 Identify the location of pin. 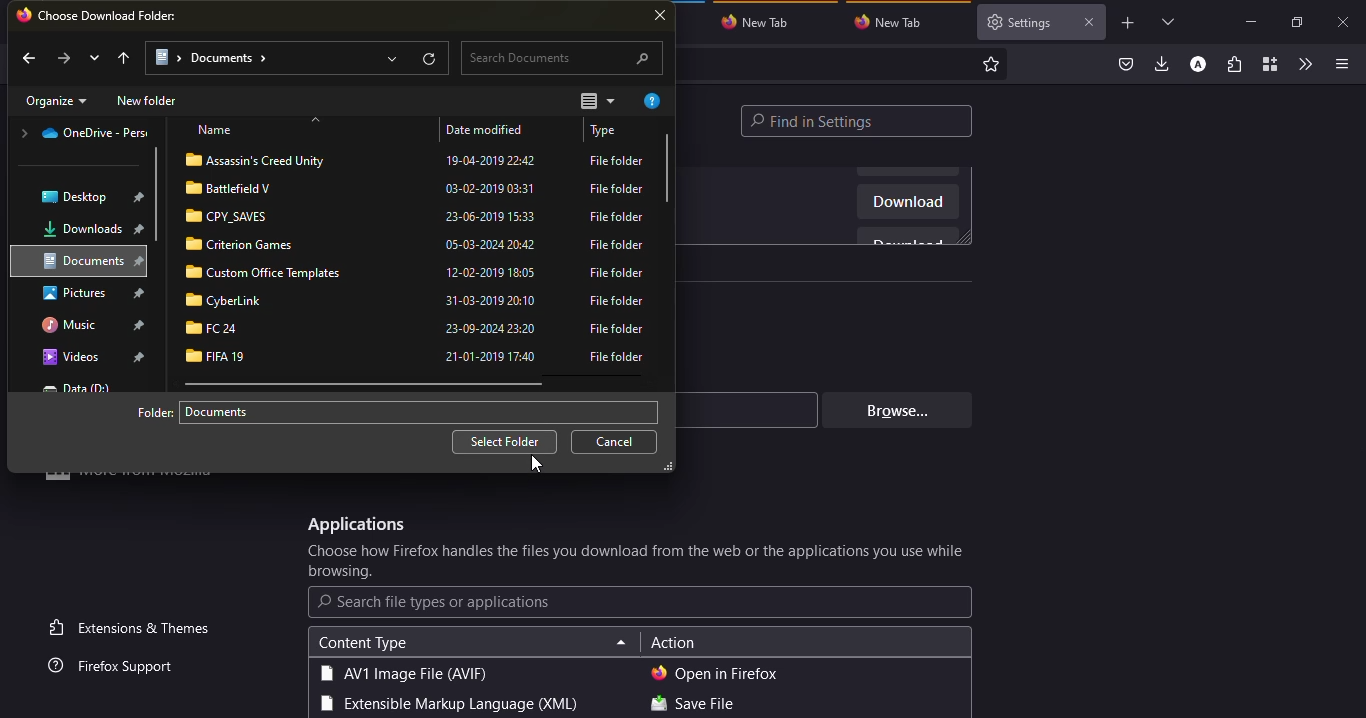
(140, 357).